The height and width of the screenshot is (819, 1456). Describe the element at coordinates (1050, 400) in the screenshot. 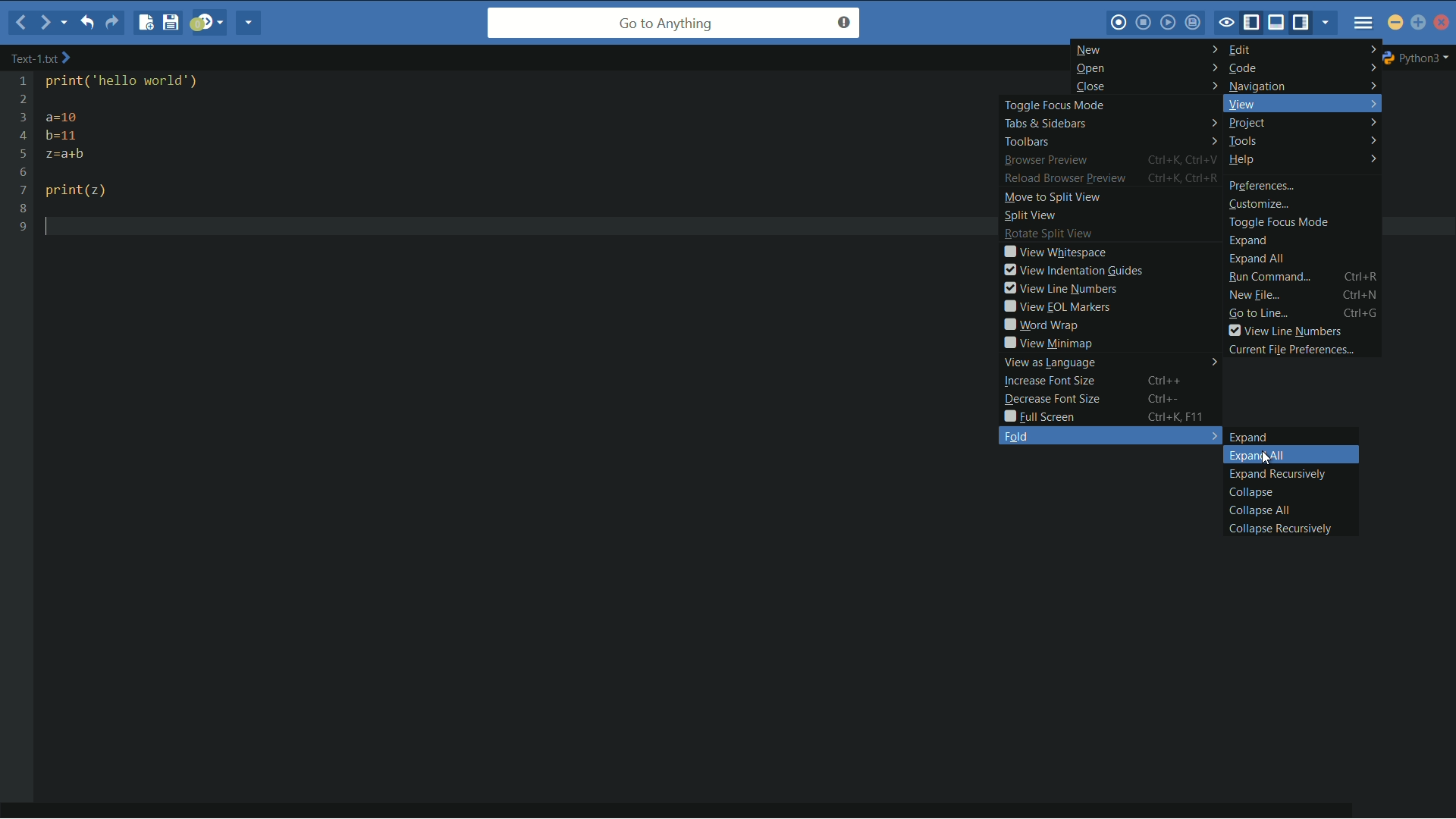

I see `decrease font size` at that location.